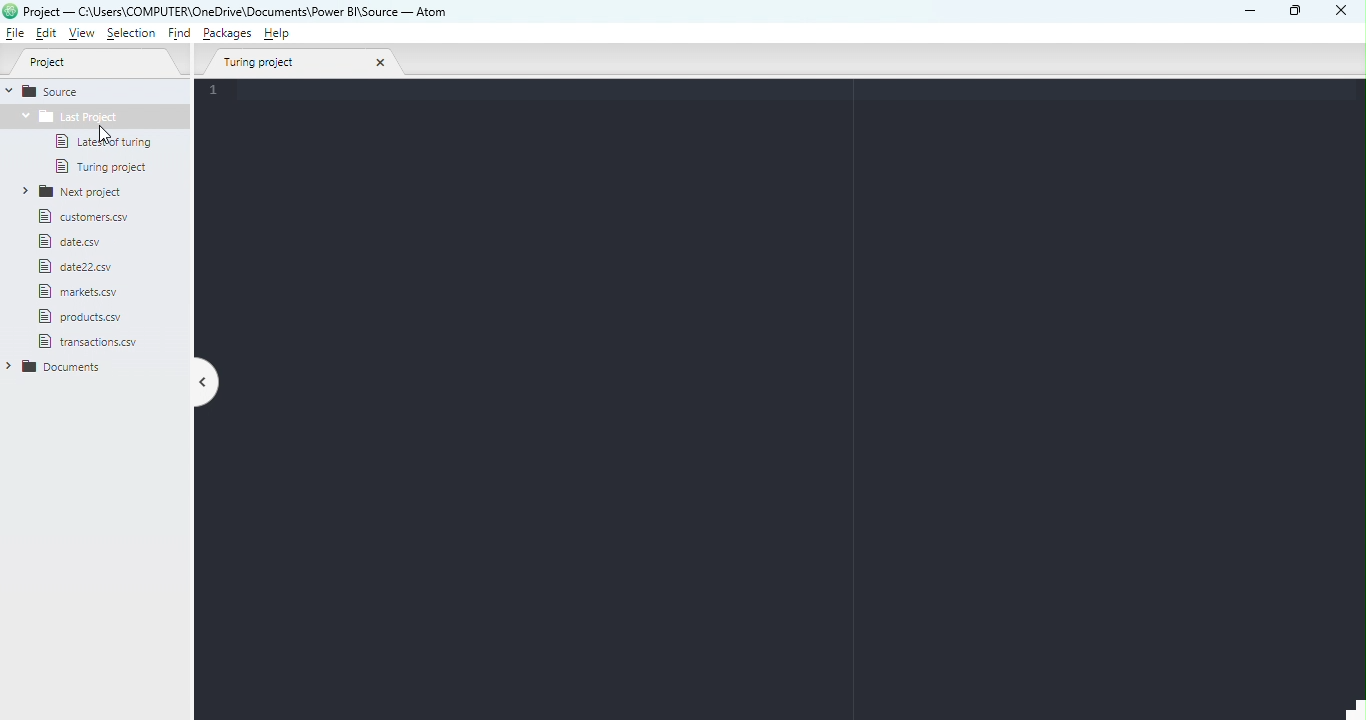 The width and height of the screenshot is (1366, 720). I want to click on Folder, so click(69, 193).